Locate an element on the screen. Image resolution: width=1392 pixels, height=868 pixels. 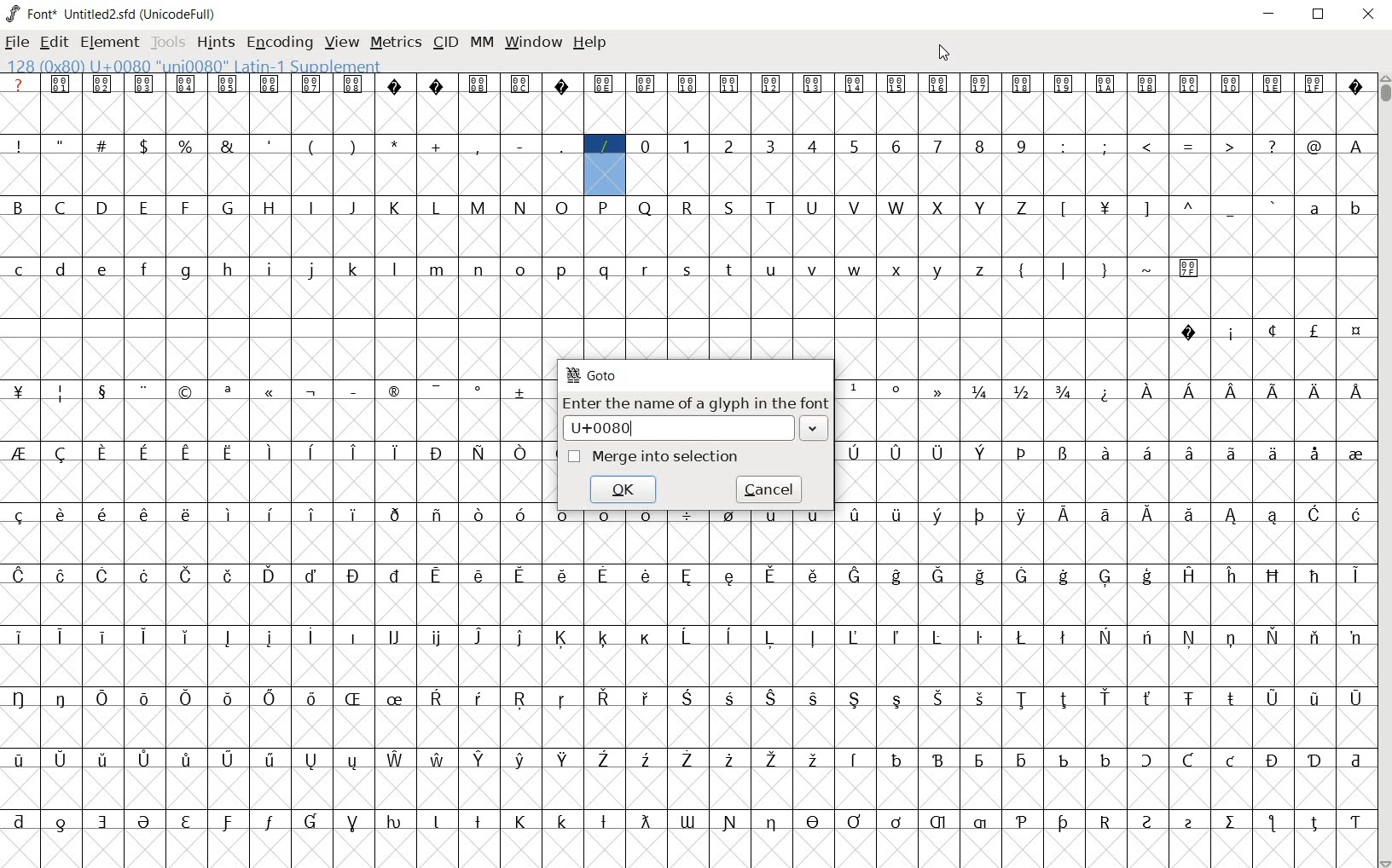
glyph is located at coordinates (269, 638).